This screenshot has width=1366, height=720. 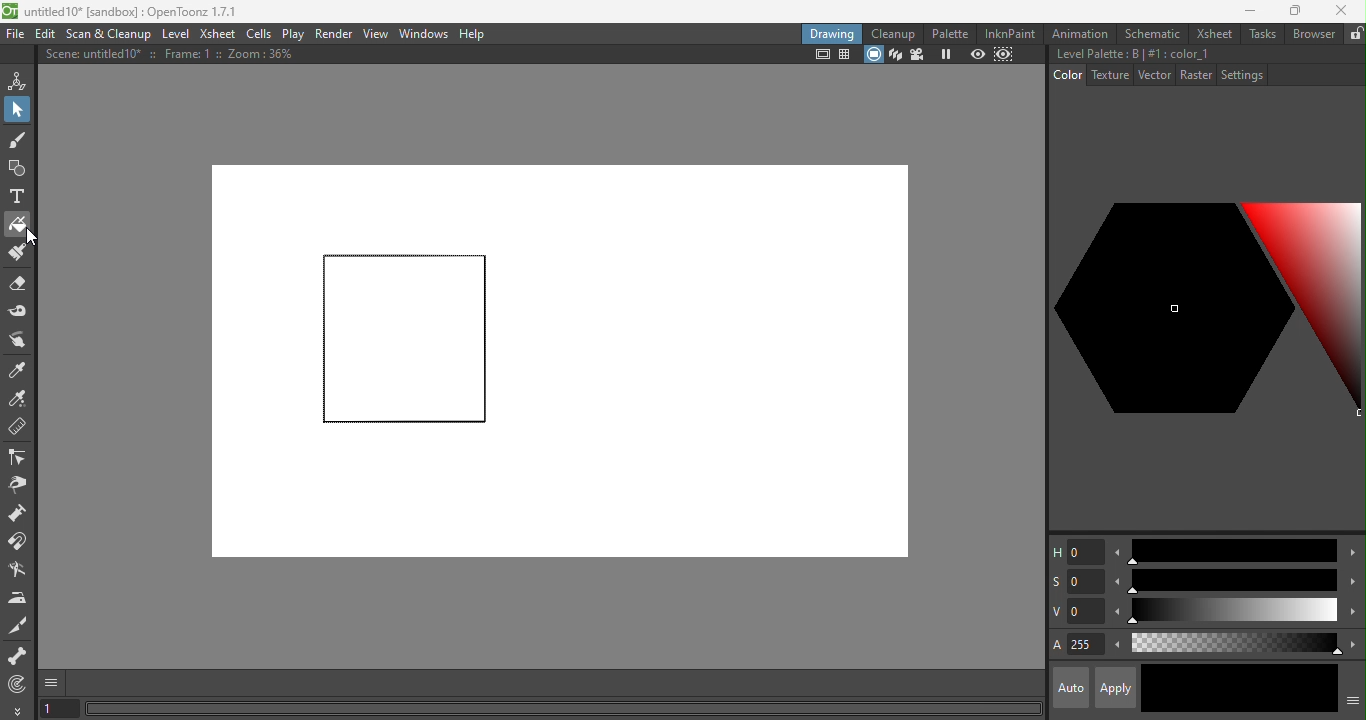 I want to click on Decrease, so click(x=1117, y=552).